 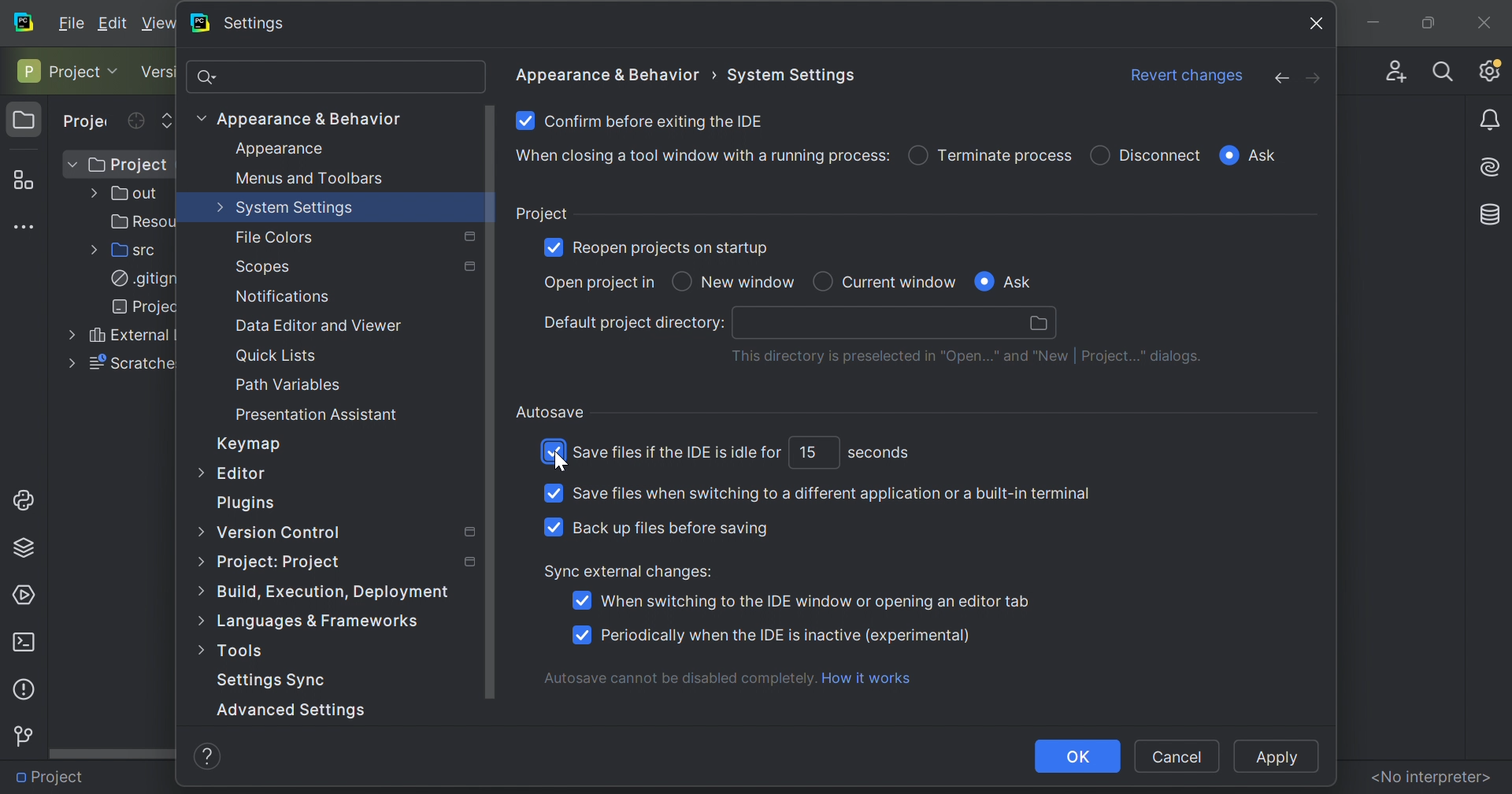 I want to click on Scopes, so click(x=265, y=267).